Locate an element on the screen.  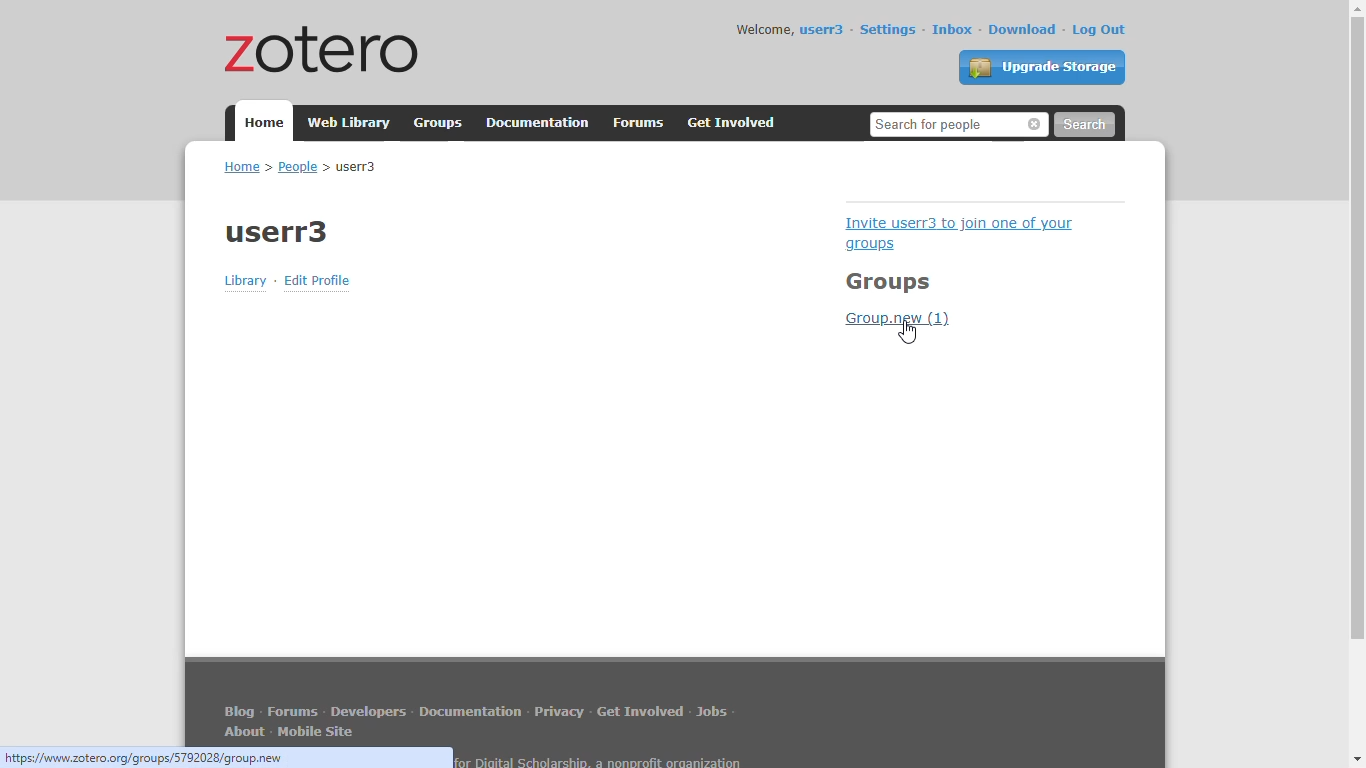
library is located at coordinates (247, 281).